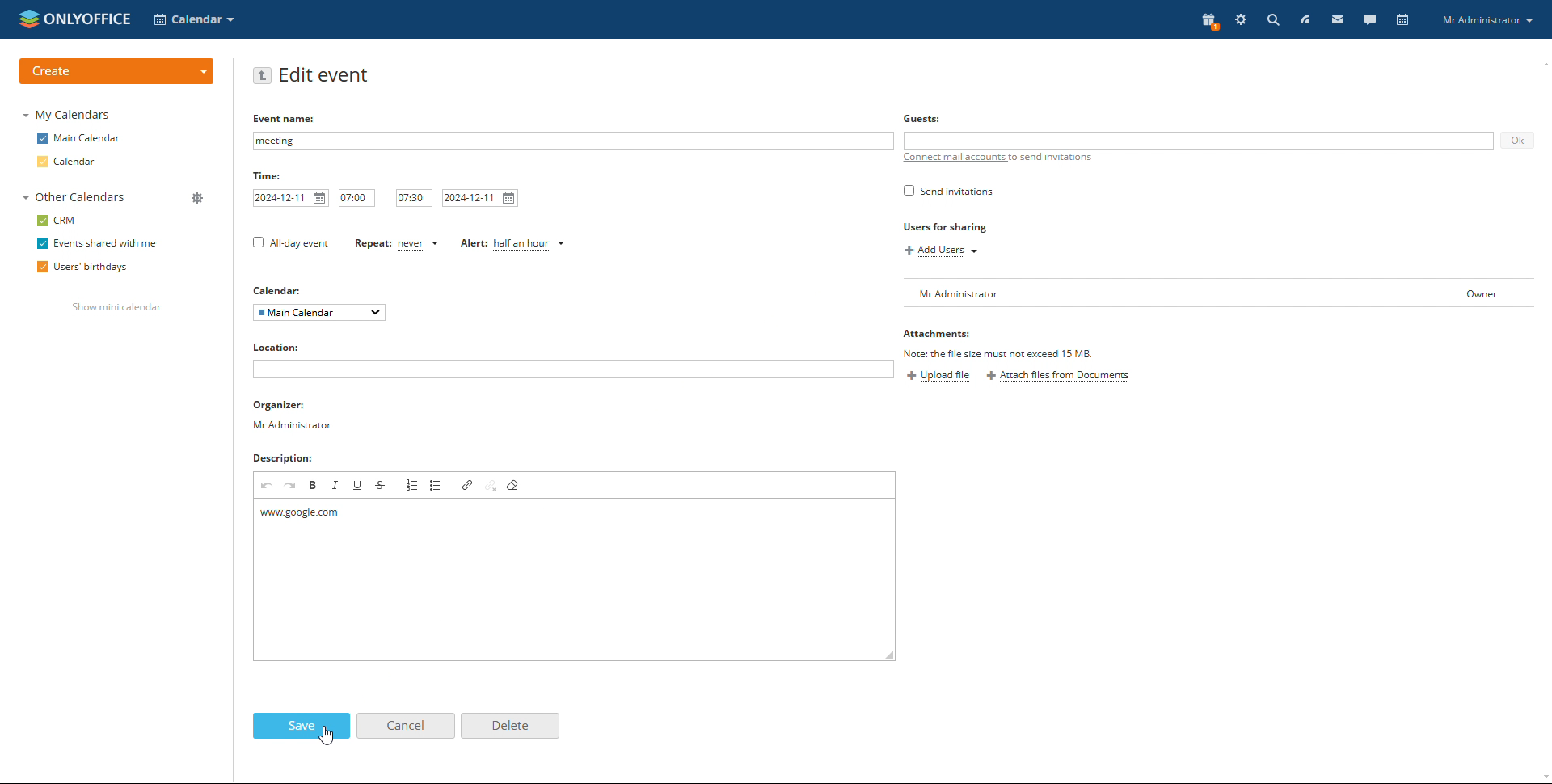  Describe the element at coordinates (118, 309) in the screenshot. I see `show mini calendar` at that location.